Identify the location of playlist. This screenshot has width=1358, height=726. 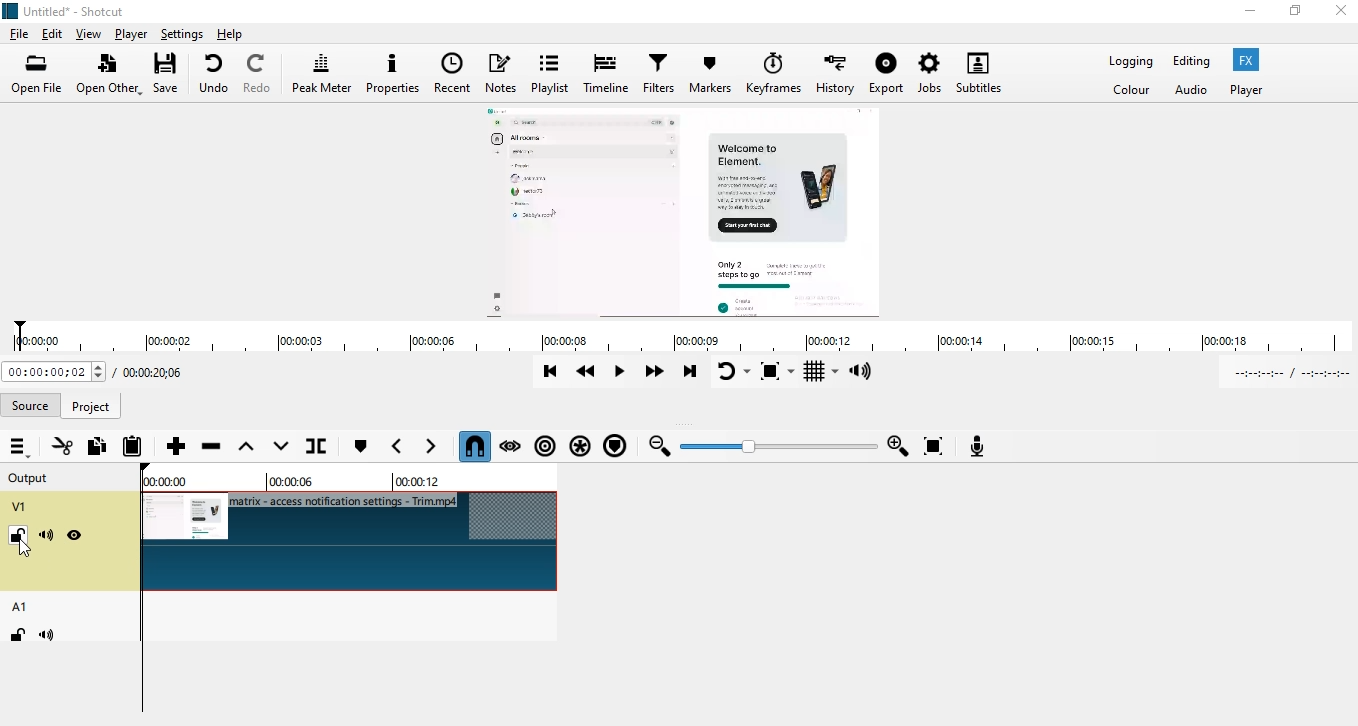
(551, 71).